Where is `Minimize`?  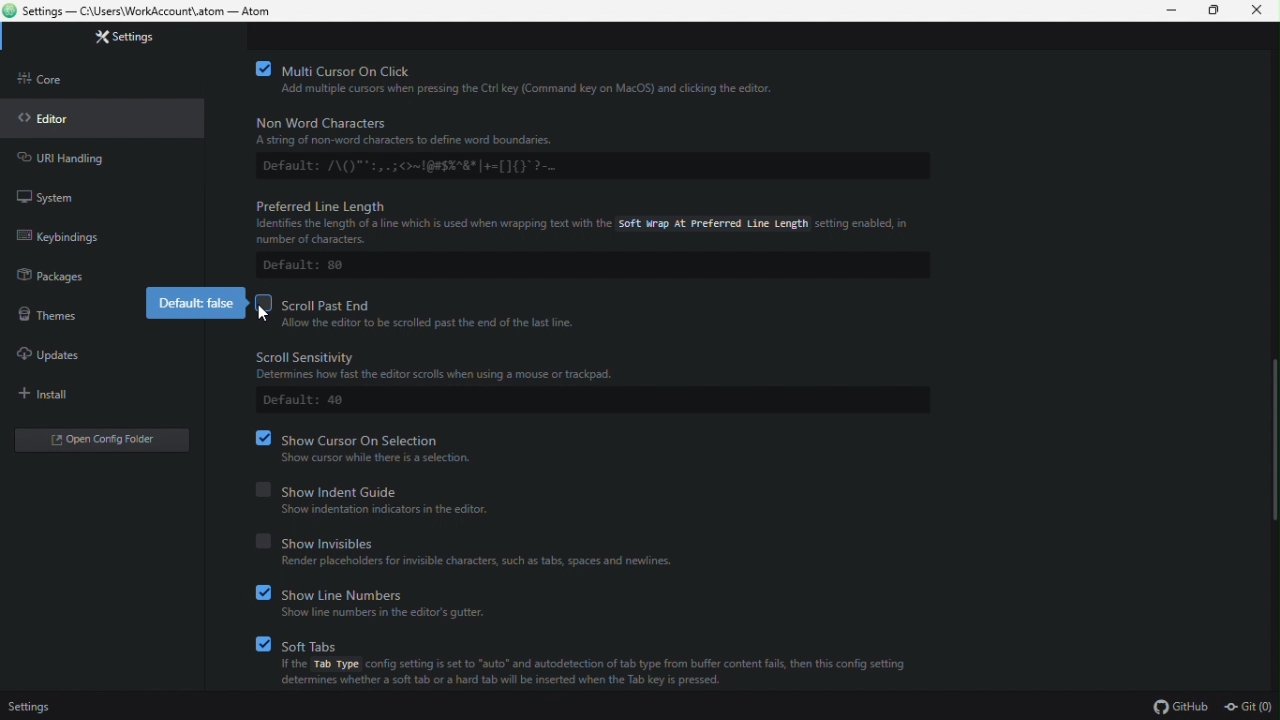
Minimize is located at coordinates (1171, 11).